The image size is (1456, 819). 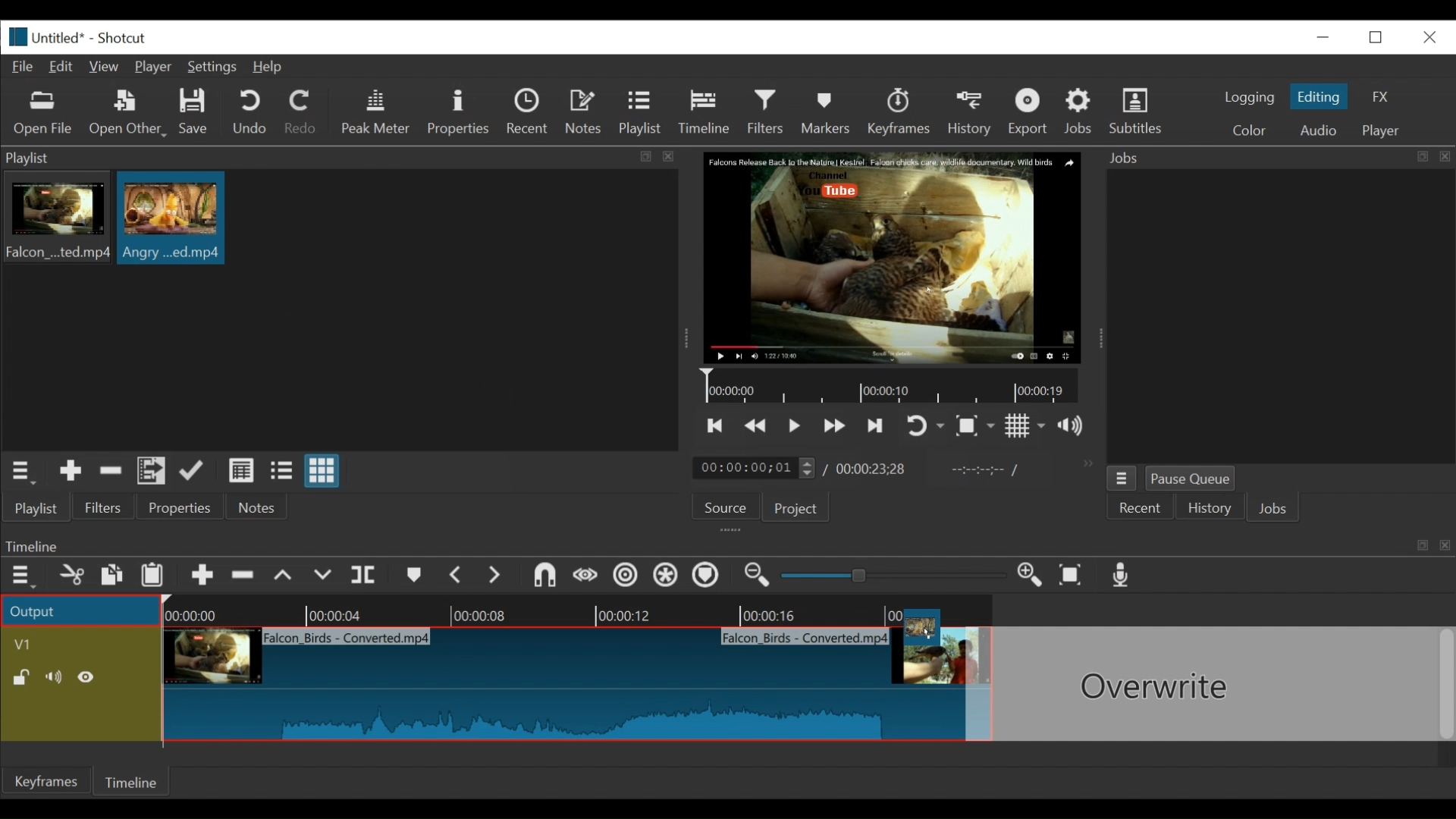 What do you see at coordinates (14, 35) in the screenshot?
I see `Shotcut logo` at bounding box center [14, 35].